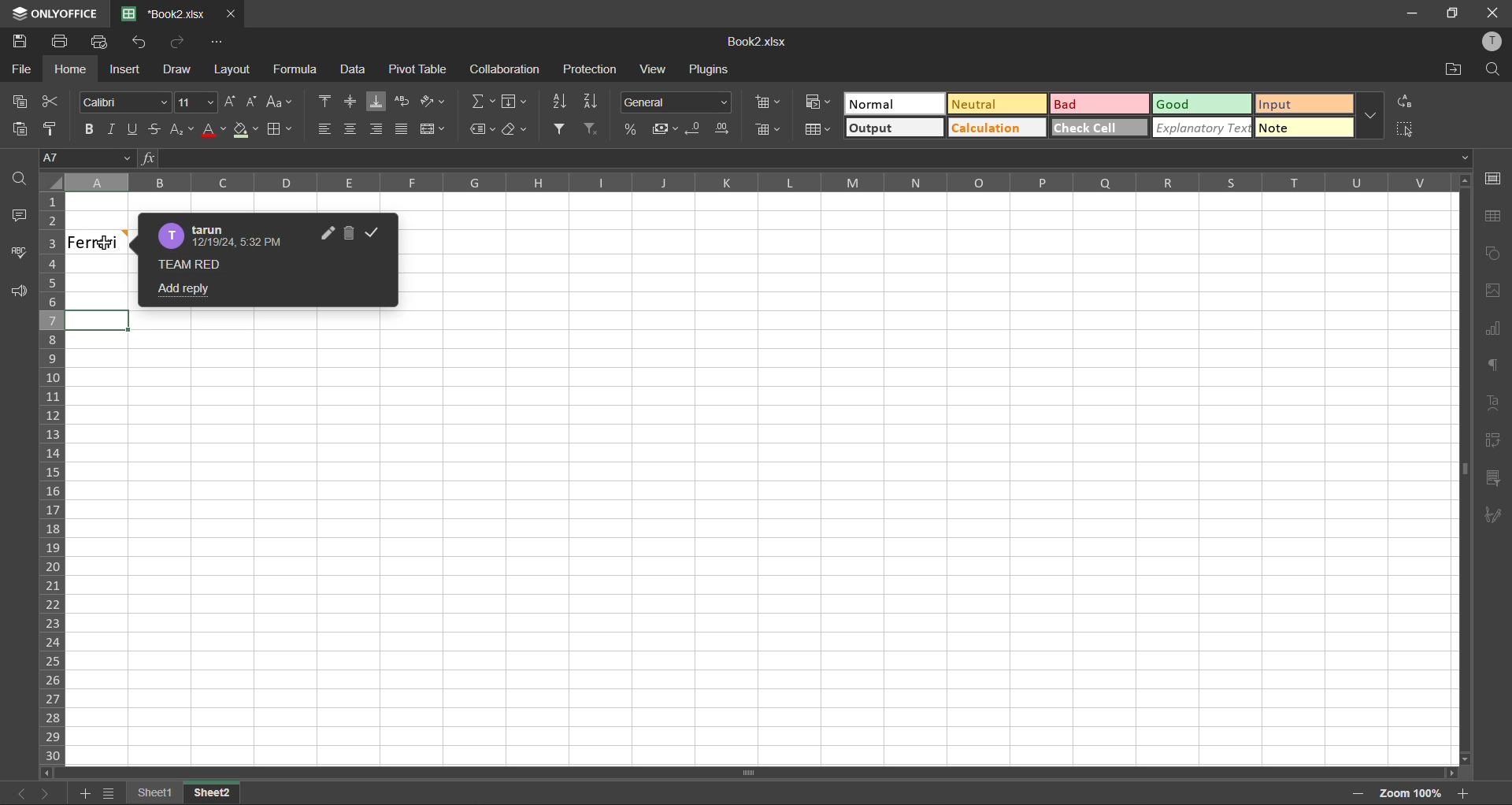 This screenshot has height=805, width=1512. I want to click on insert cells, so click(770, 104).